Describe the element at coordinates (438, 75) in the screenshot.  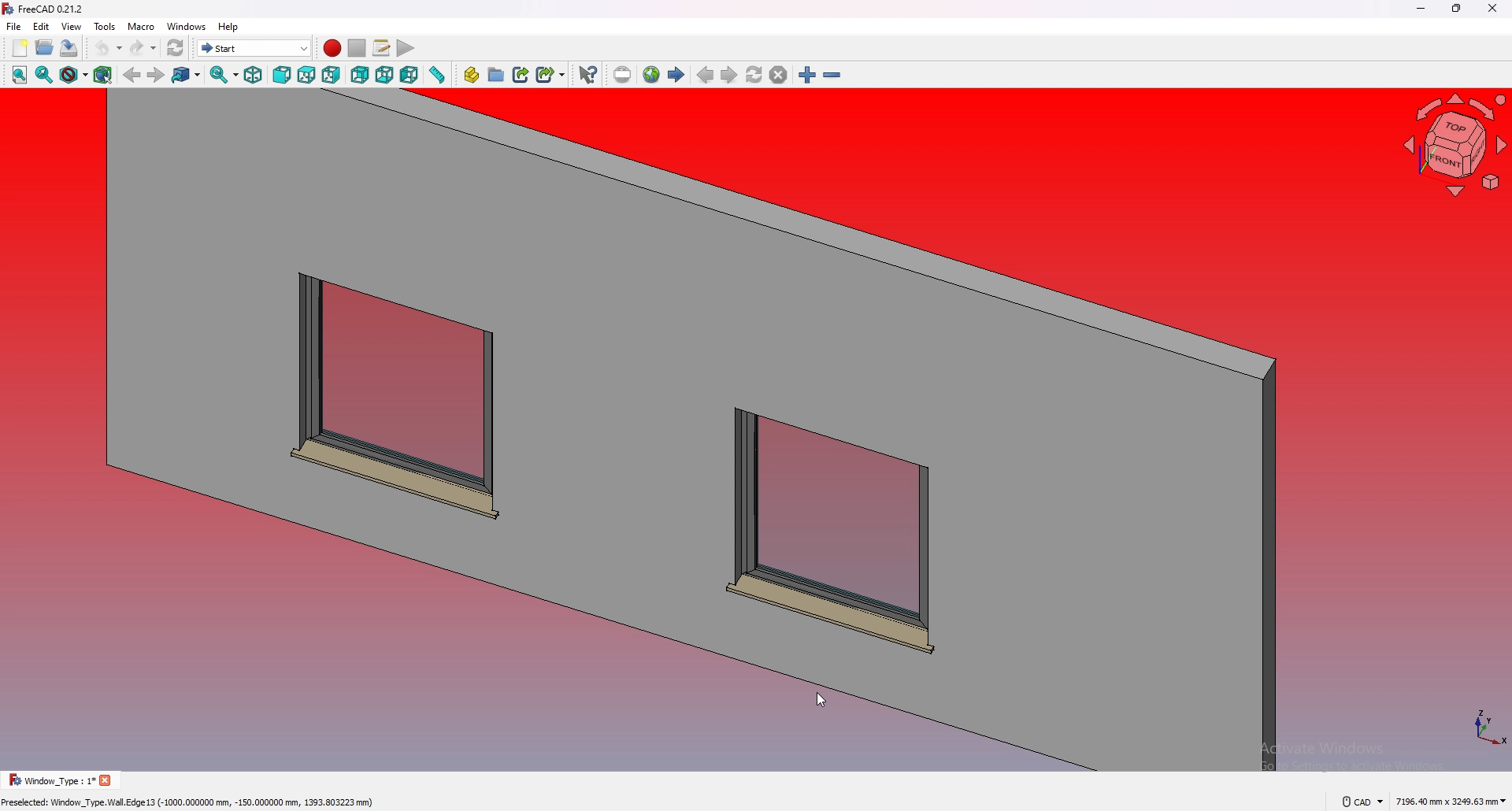
I see `measure distance` at that location.